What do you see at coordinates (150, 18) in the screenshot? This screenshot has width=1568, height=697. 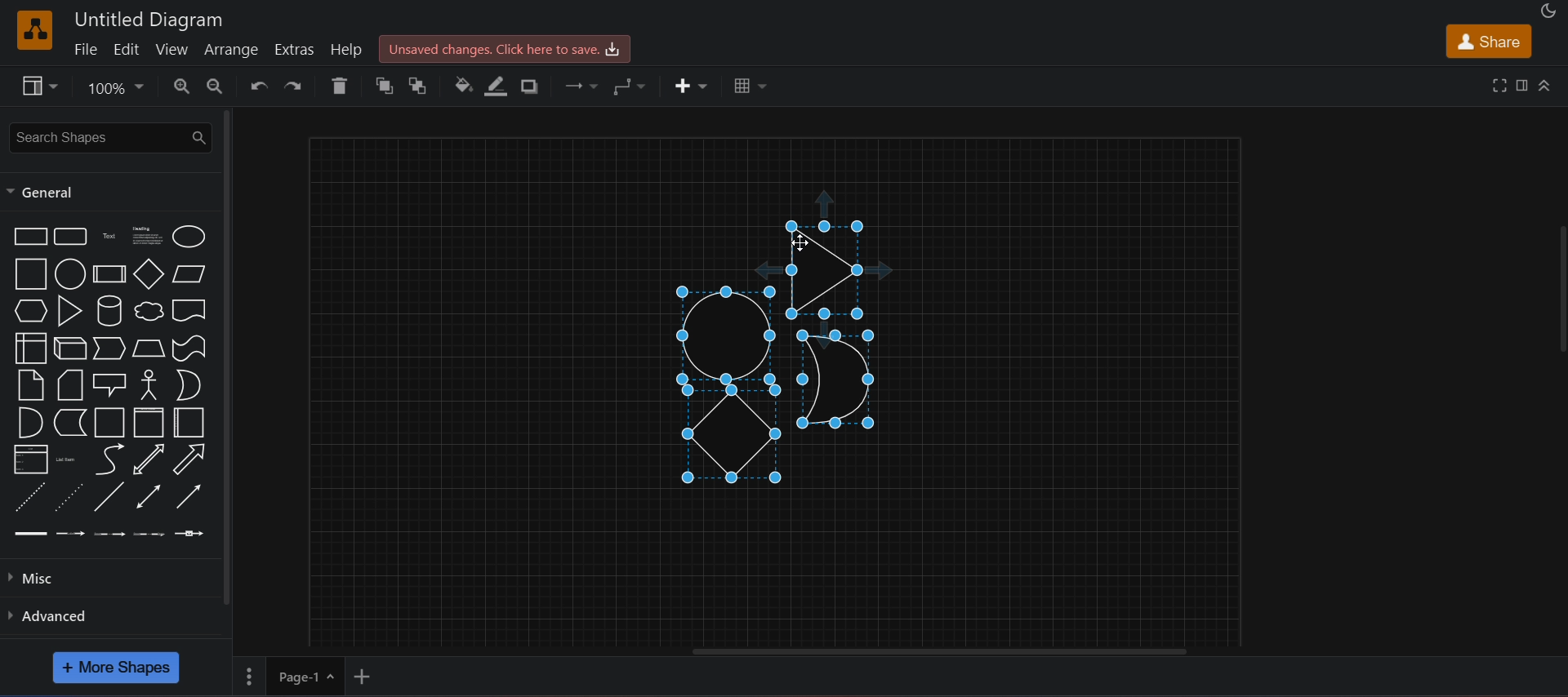 I see `untitled diagram` at bounding box center [150, 18].